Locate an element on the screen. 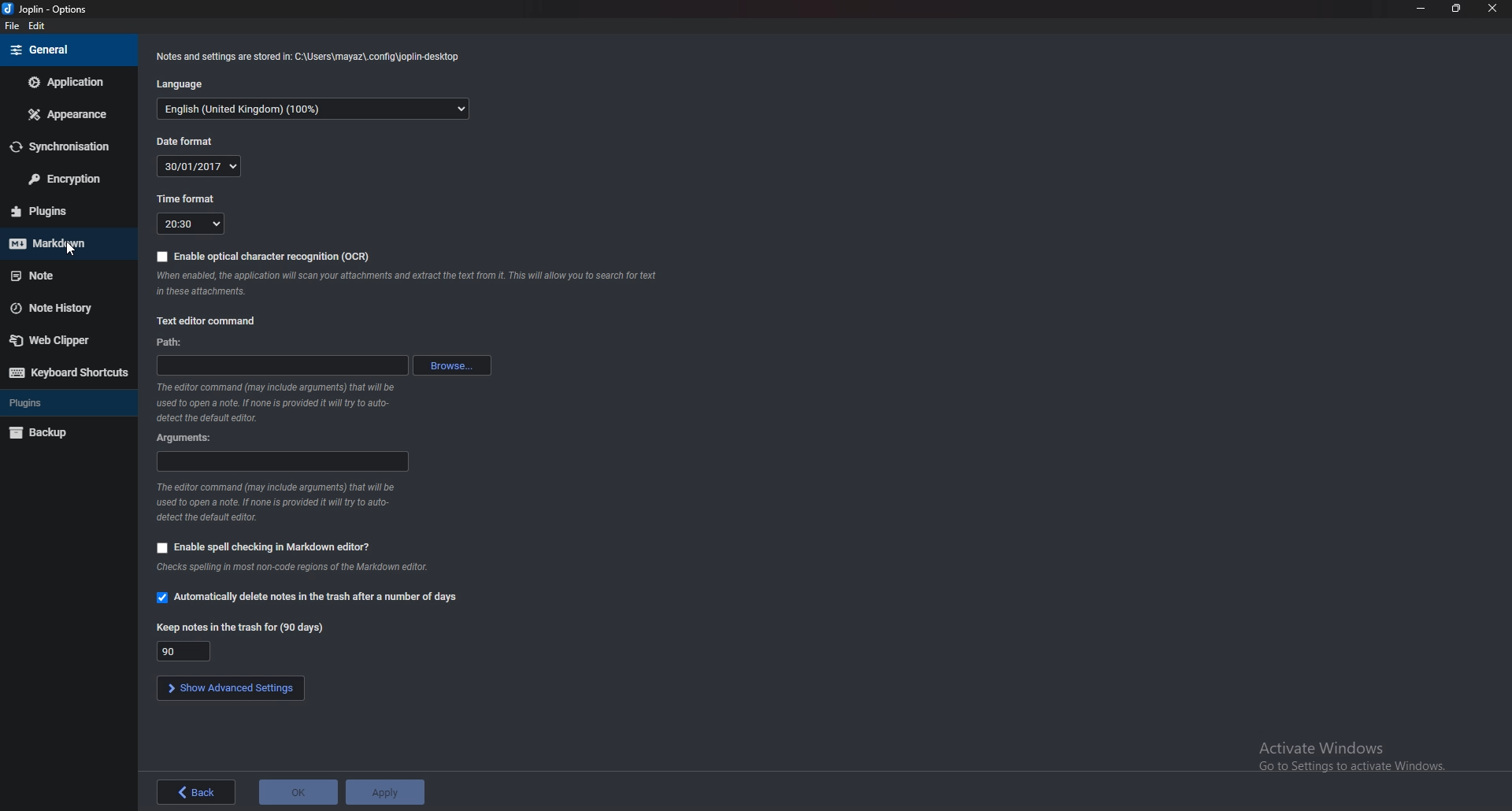  Keep notes in the trash for is located at coordinates (239, 625).